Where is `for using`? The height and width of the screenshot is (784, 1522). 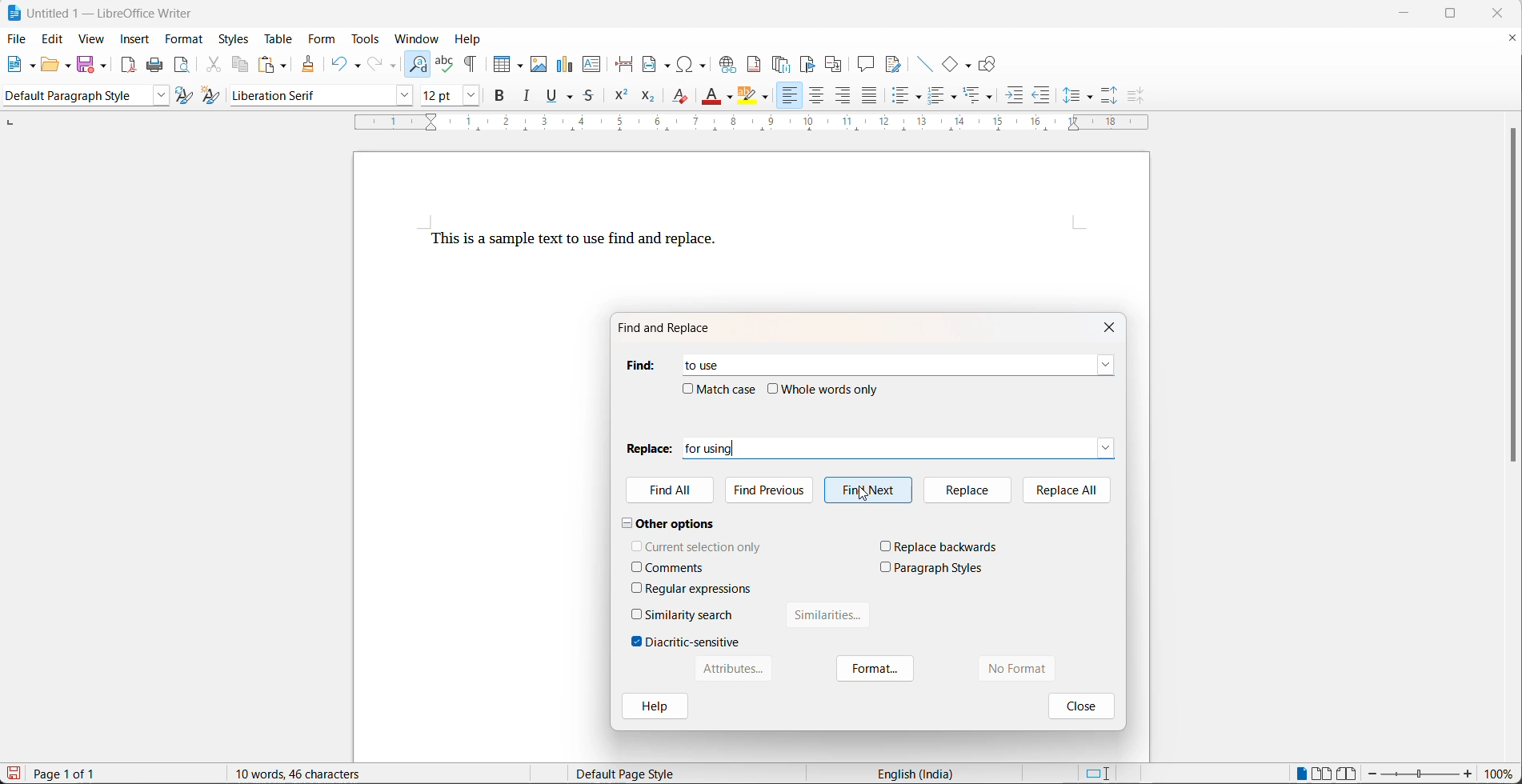
for using is located at coordinates (884, 448).